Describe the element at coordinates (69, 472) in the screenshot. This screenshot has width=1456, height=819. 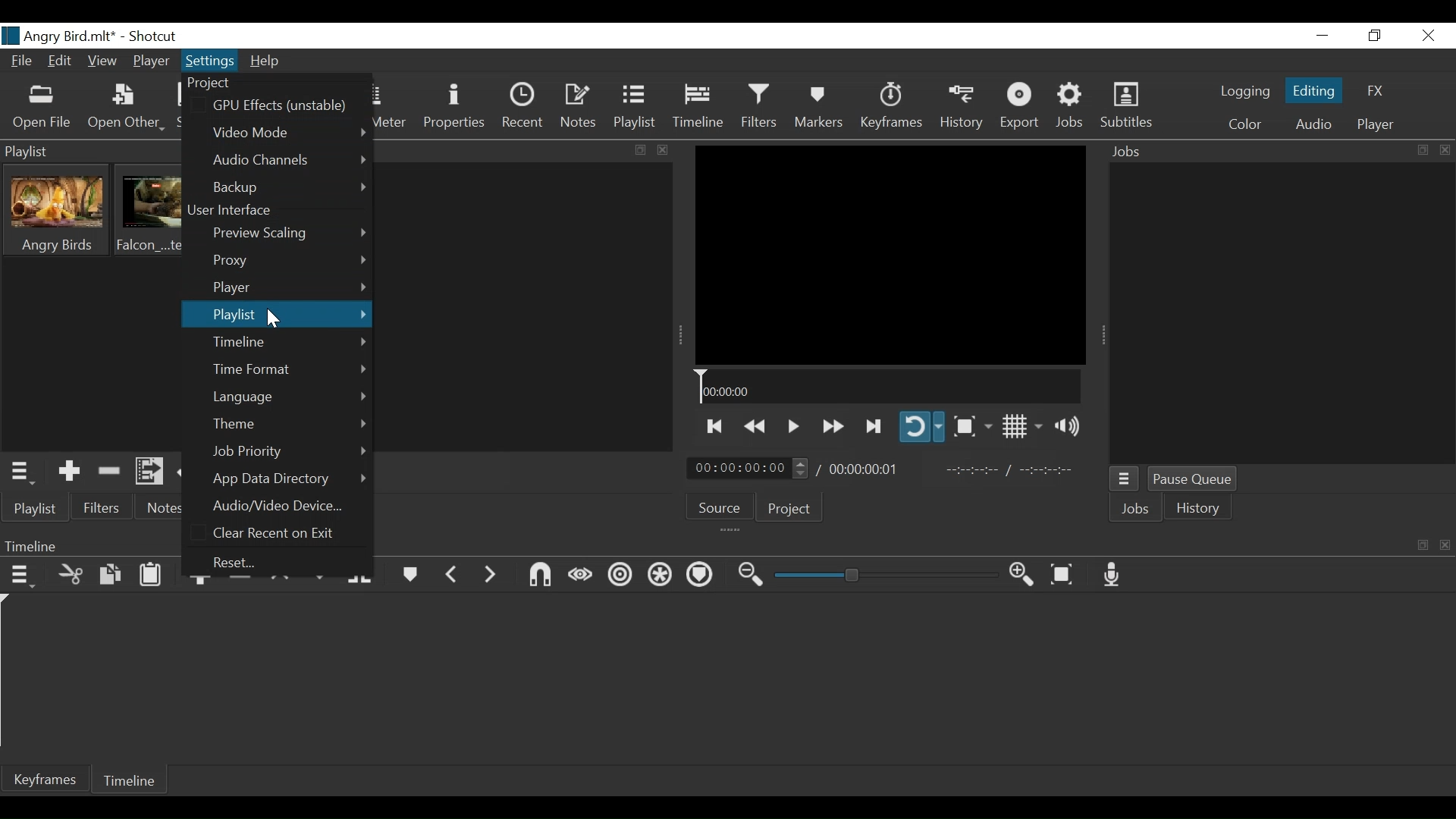
I see `Add the source to the playlist` at that location.